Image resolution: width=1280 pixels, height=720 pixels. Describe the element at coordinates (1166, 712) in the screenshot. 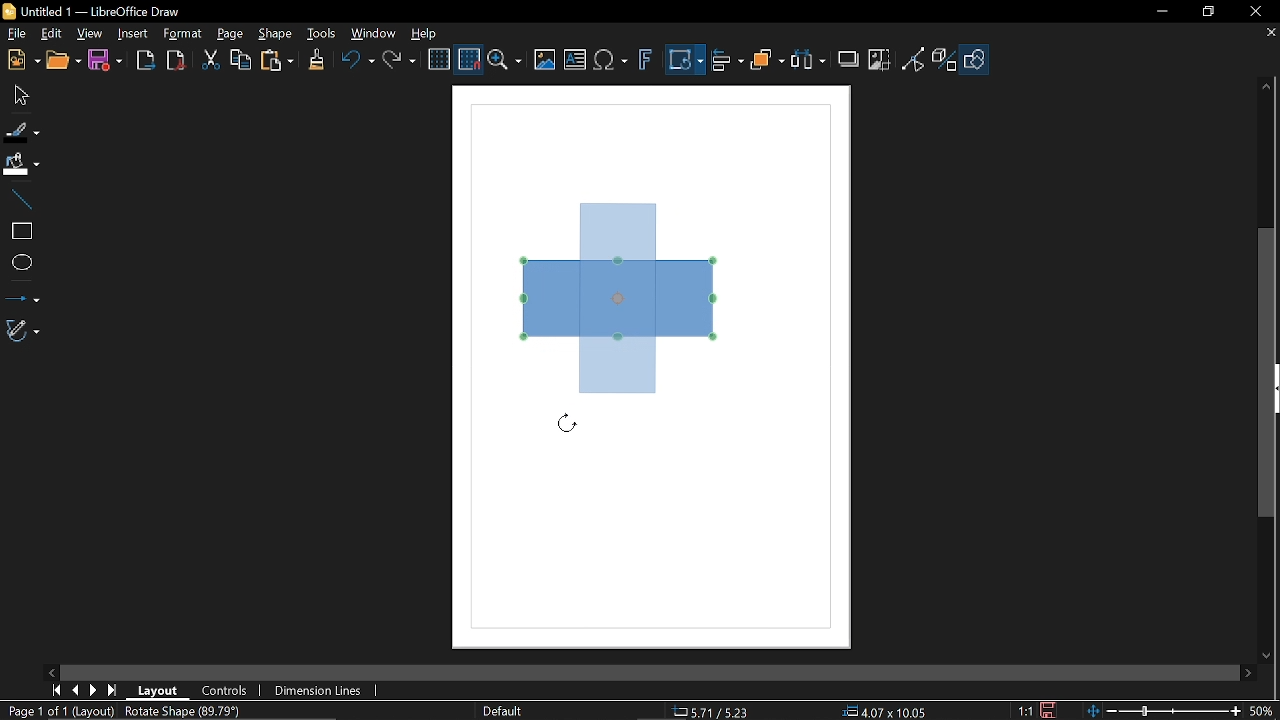

I see `Change zoom` at that location.